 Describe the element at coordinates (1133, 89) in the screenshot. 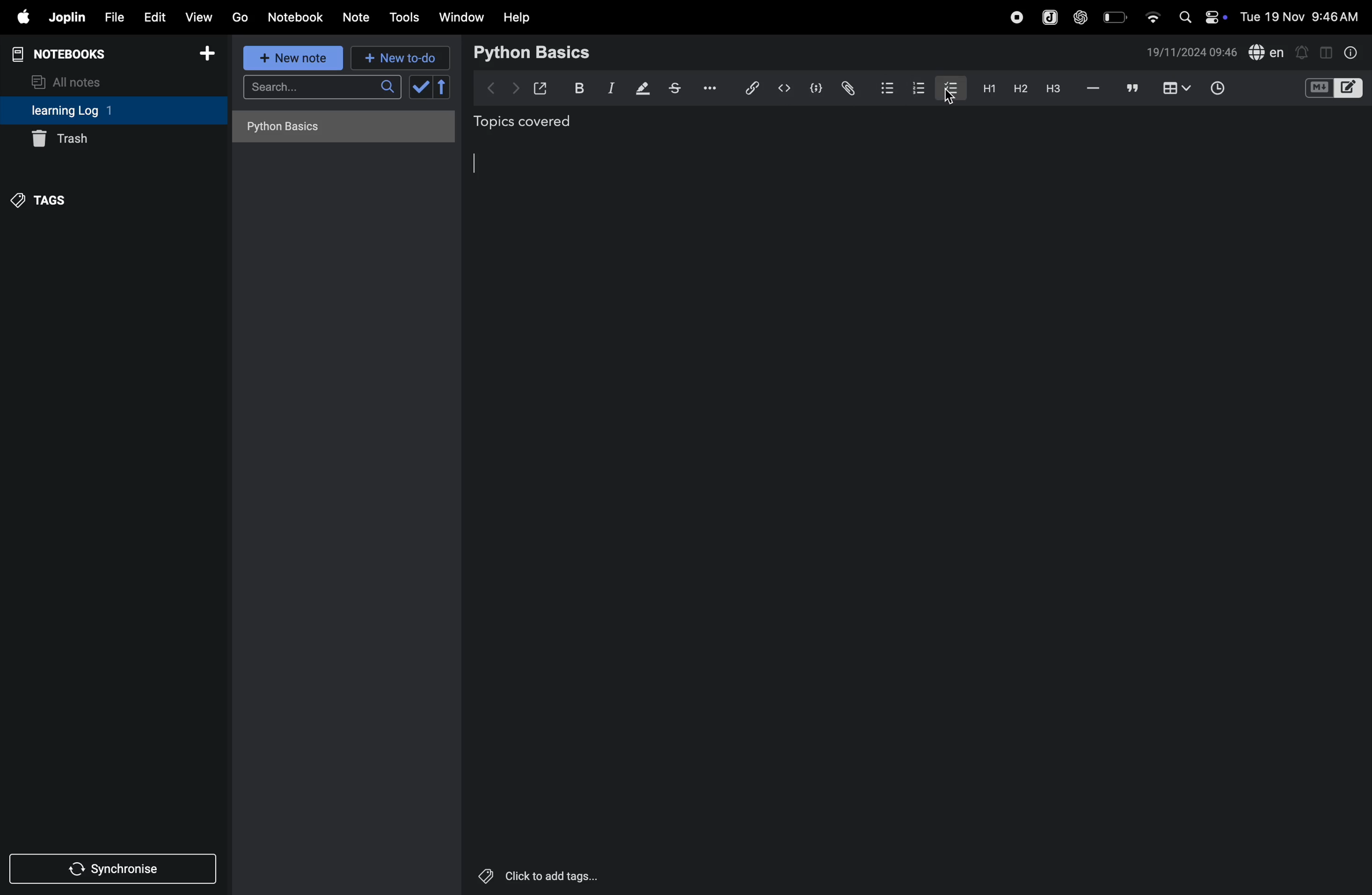

I see `comment` at that location.